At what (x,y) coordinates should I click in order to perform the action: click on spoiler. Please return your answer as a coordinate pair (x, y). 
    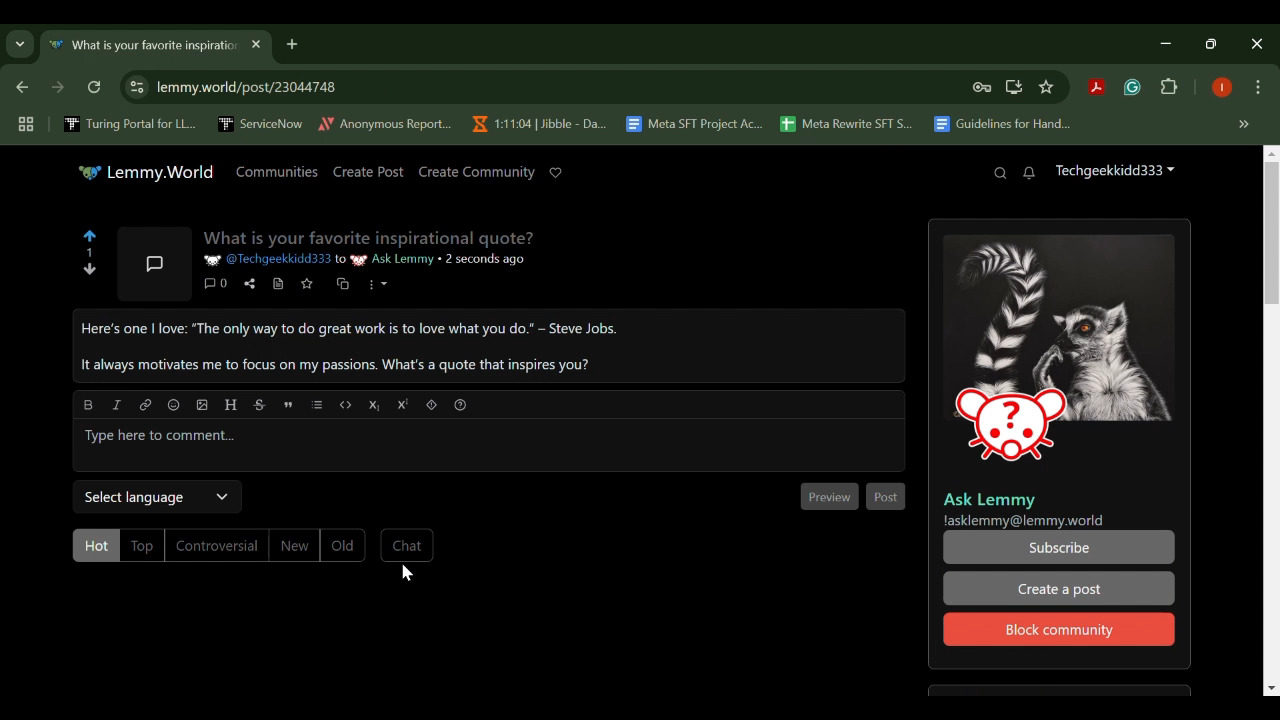
    Looking at the image, I should click on (431, 404).